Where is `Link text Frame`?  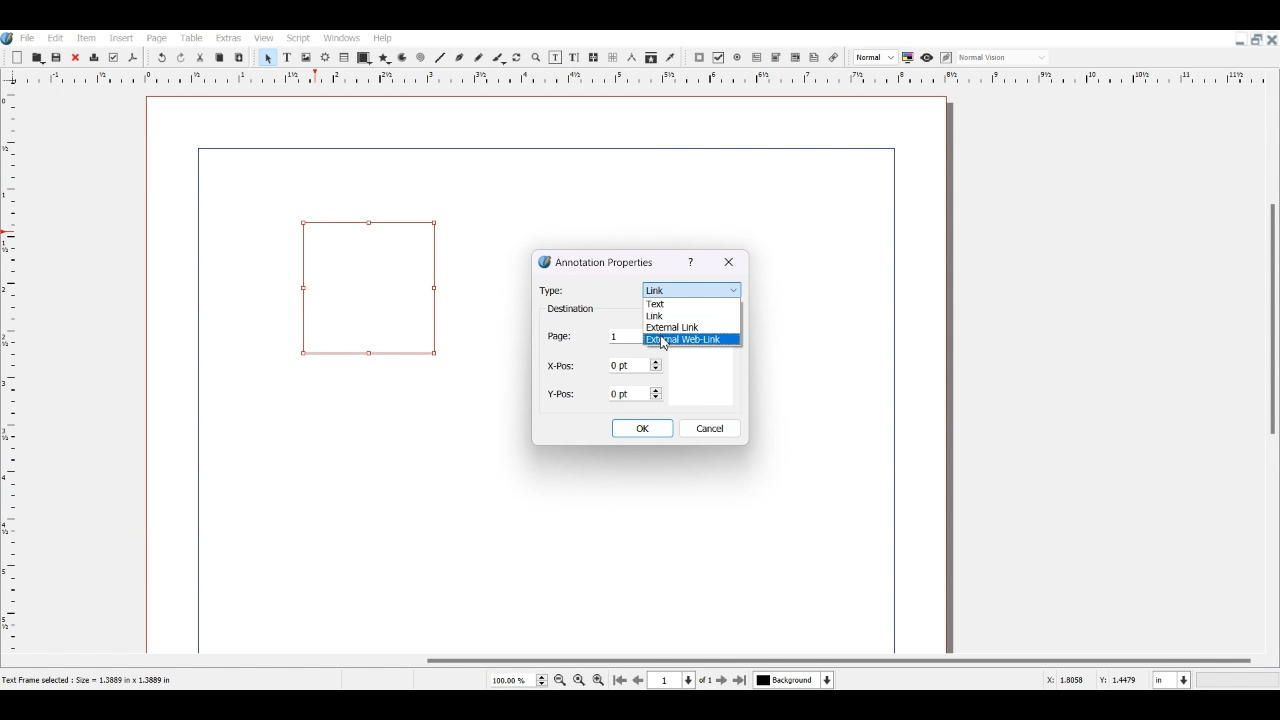
Link text Frame is located at coordinates (594, 57).